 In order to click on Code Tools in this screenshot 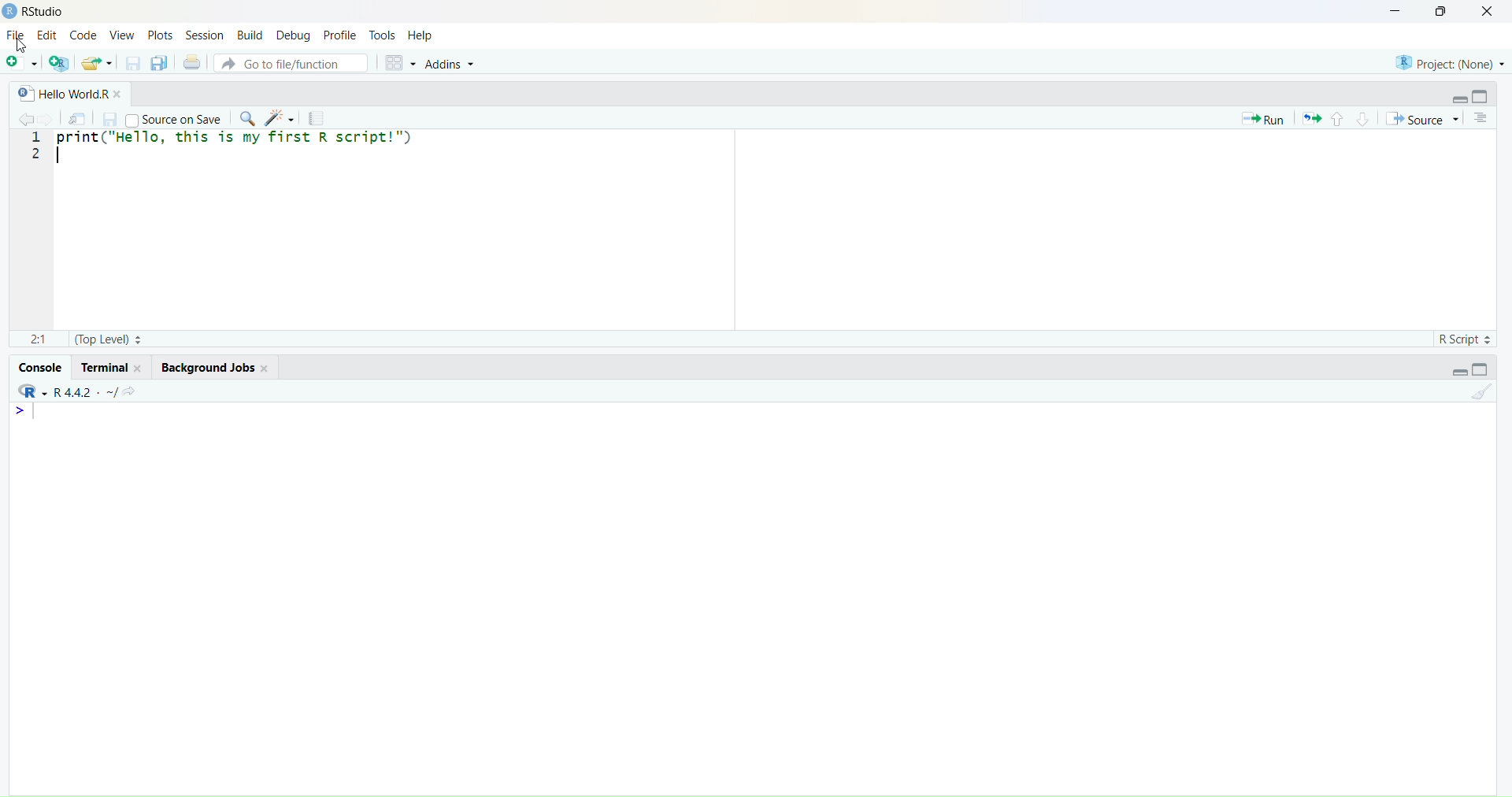, I will do `click(280, 117)`.